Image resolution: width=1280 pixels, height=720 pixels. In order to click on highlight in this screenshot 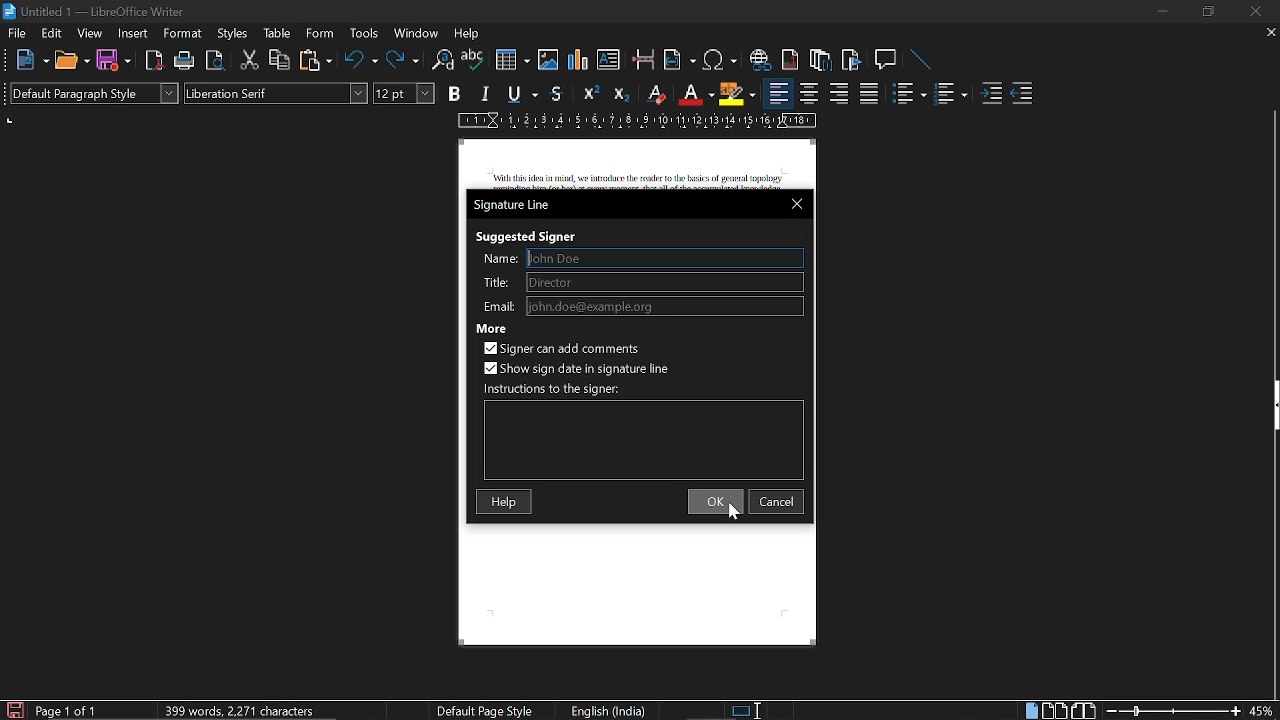, I will do `click(737, 94)`.